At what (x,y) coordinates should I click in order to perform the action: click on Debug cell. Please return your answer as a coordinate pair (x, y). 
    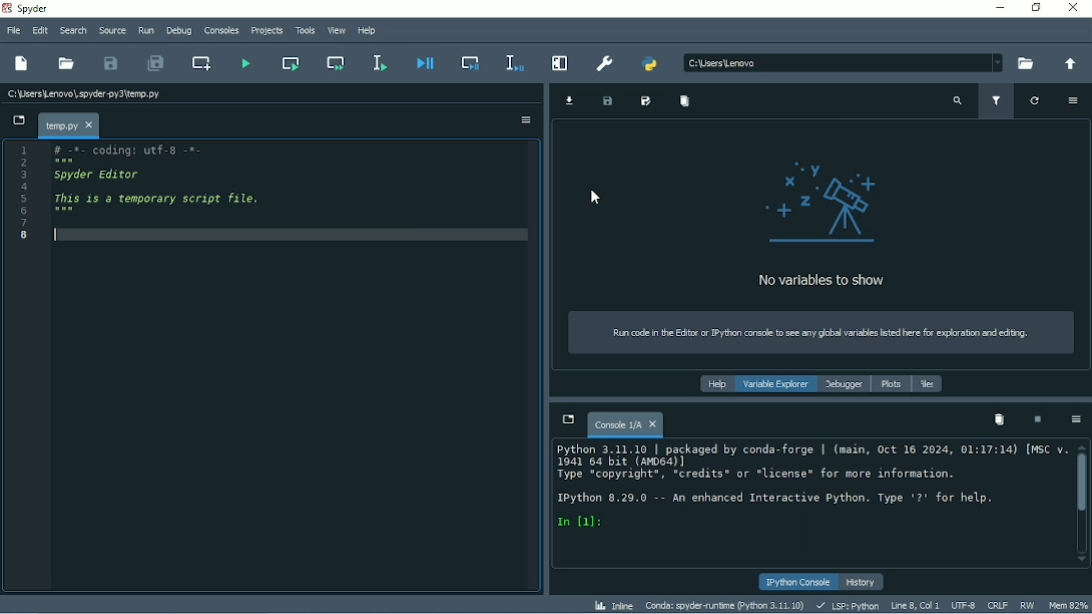
    Looking at the image, I should click on (471, 61).